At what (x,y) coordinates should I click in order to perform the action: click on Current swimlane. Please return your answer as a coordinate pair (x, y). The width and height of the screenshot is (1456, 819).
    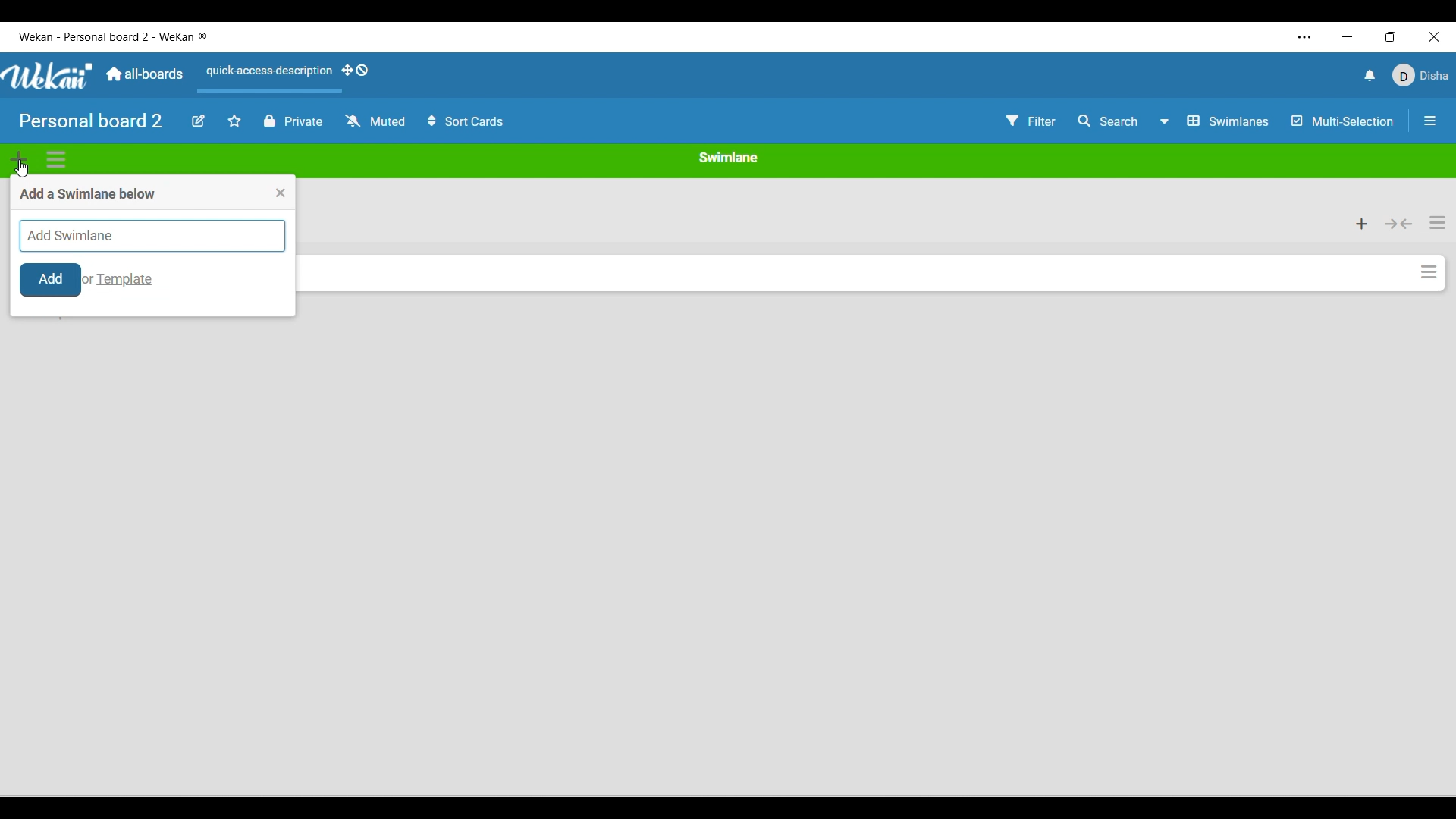
    Looking at the image, I should click on (728, 157).